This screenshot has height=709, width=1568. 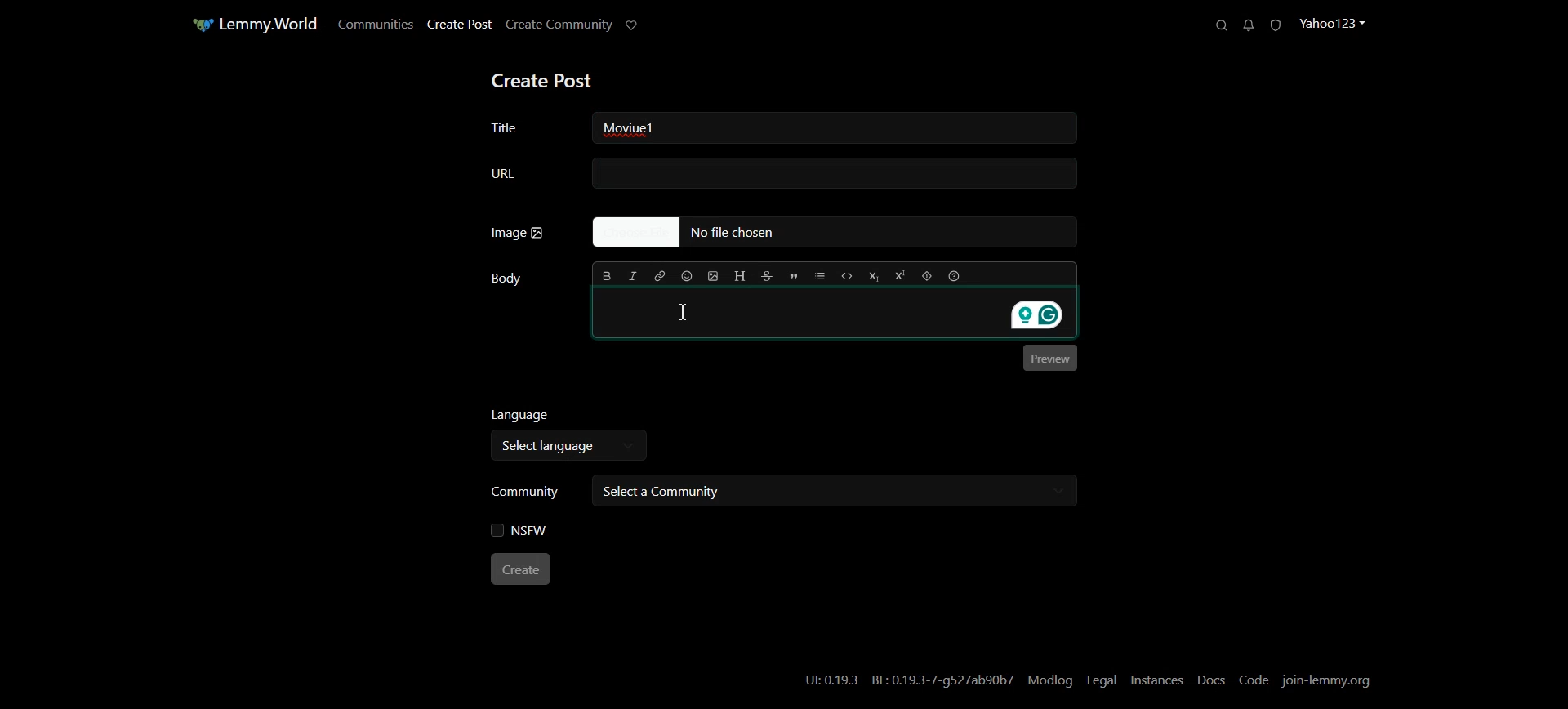 What do you see at coordinates (740, 276) in the screenshot?
I see `Header` at bounding box center [740, 276].